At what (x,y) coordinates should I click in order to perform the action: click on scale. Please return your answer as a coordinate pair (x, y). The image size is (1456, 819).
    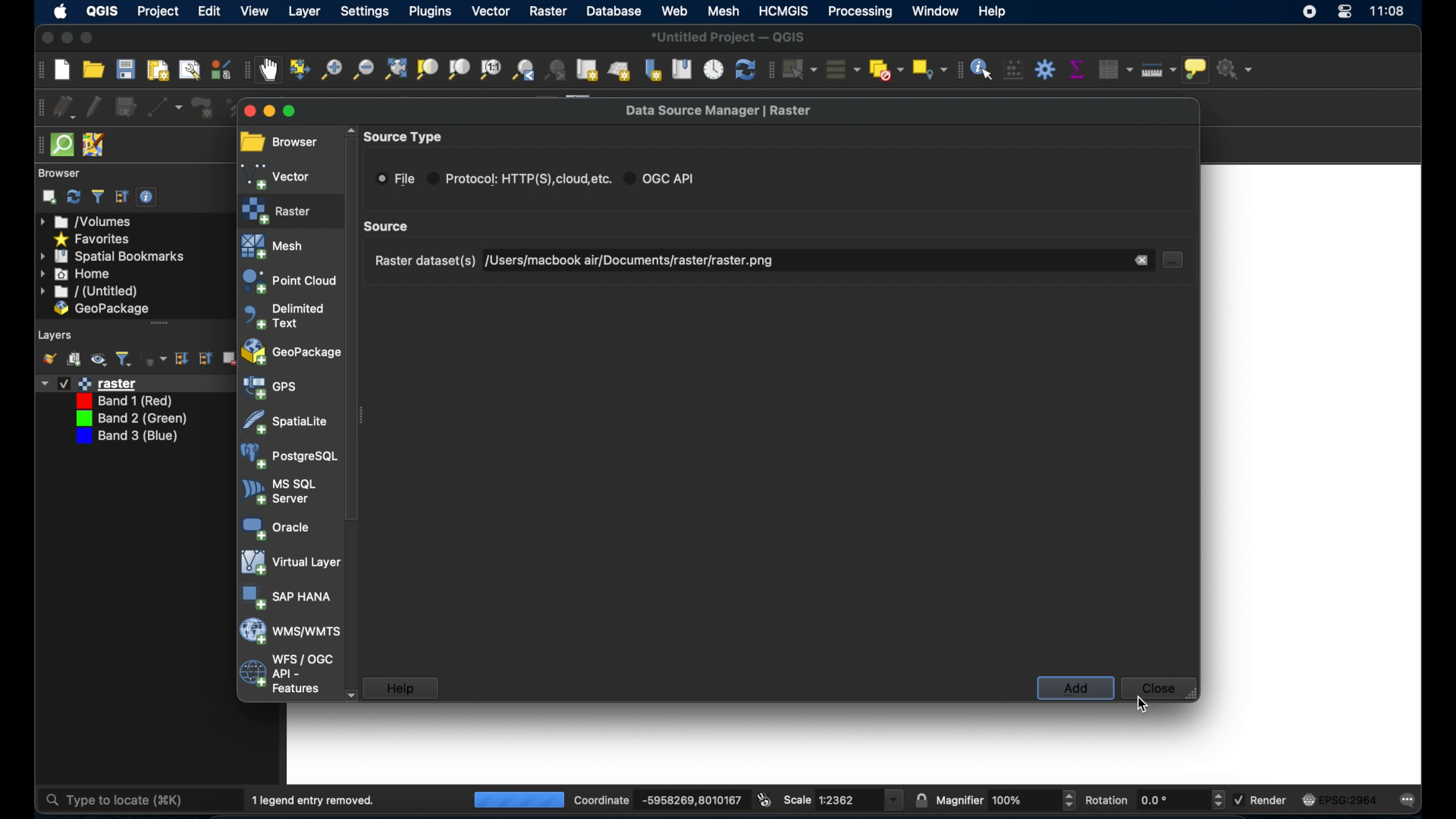
    Looking at the image, I should click on (798, 800).